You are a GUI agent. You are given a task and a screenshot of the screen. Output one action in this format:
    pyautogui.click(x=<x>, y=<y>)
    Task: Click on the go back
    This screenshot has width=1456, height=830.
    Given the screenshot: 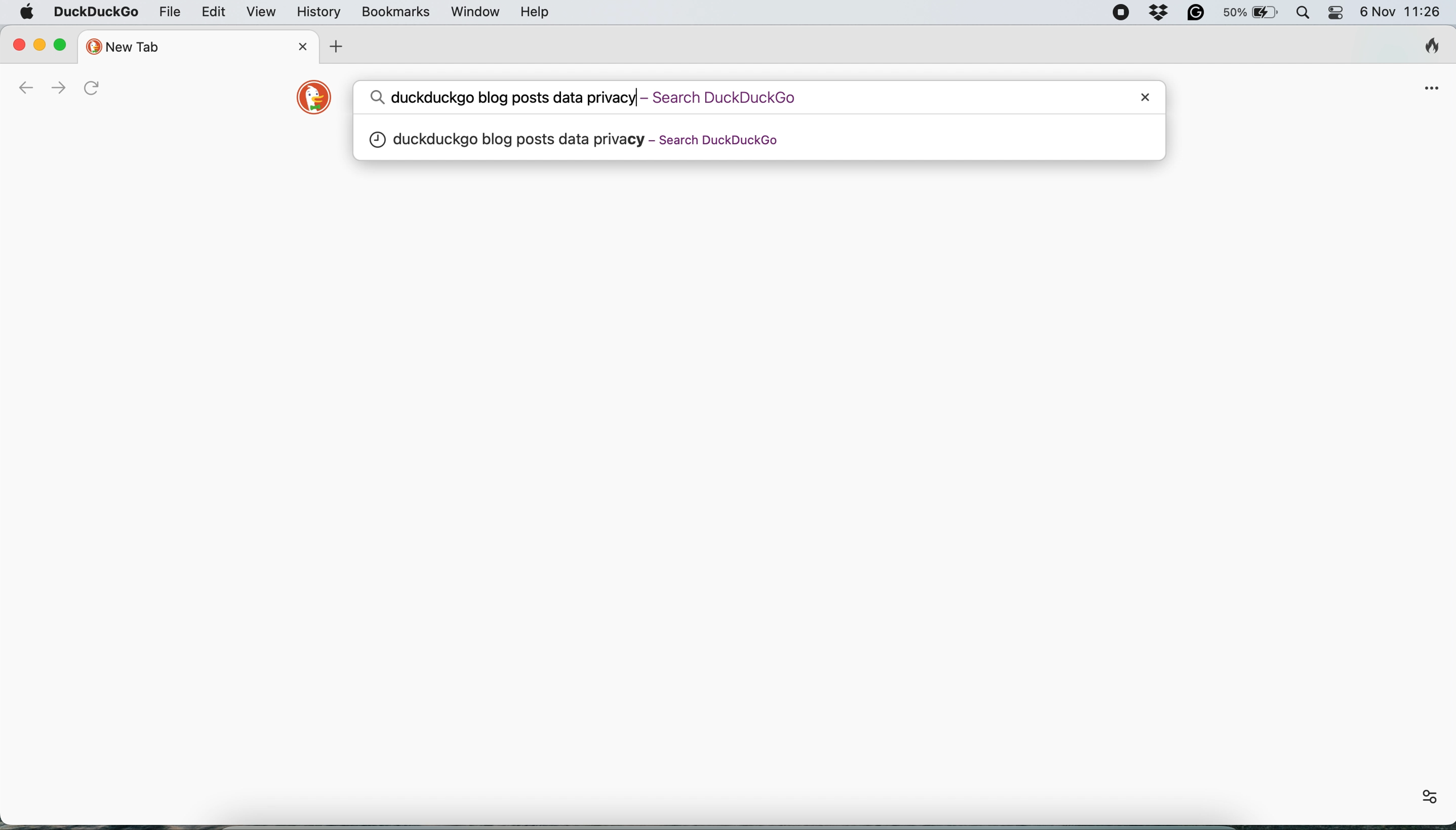 What is the action you would take?
    pyautogui.click(x=24, y=89)
    